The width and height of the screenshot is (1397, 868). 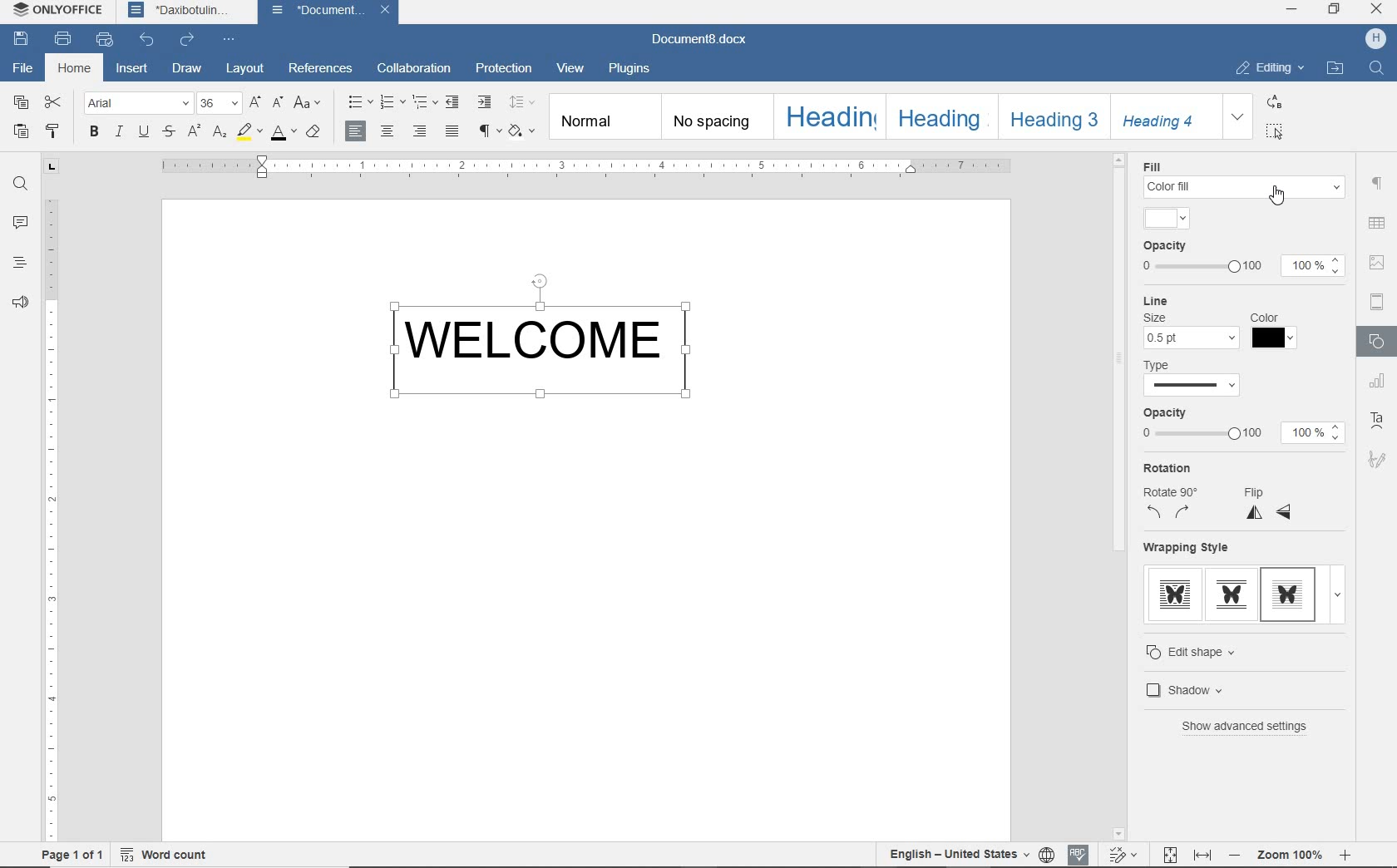 I want to click on HEADINGS, so click(x=22, y=262).